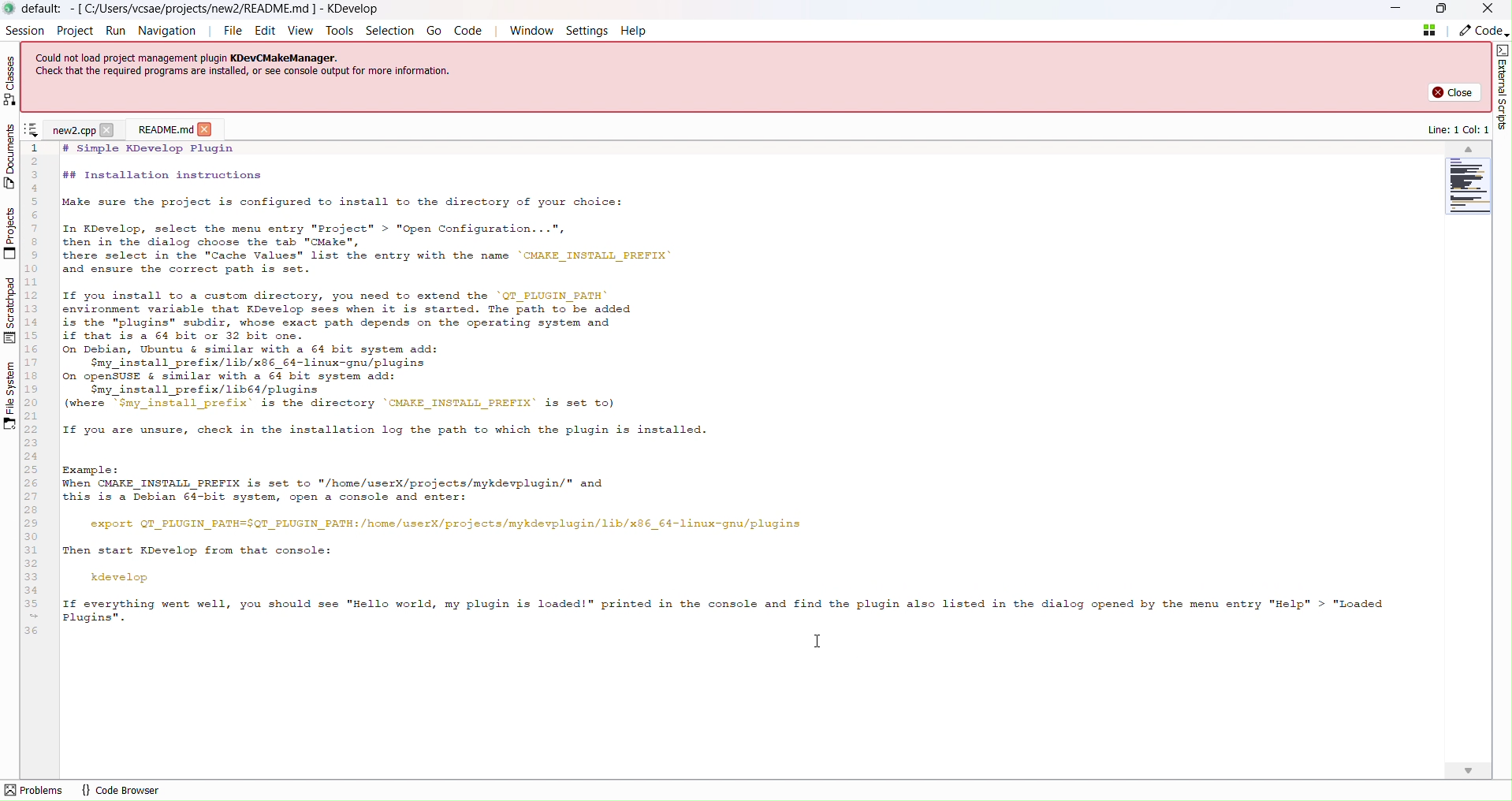  What do you see at coordinates (723, 383) in the screenshot?
I see `Project code` at bounding box center [723, 383].